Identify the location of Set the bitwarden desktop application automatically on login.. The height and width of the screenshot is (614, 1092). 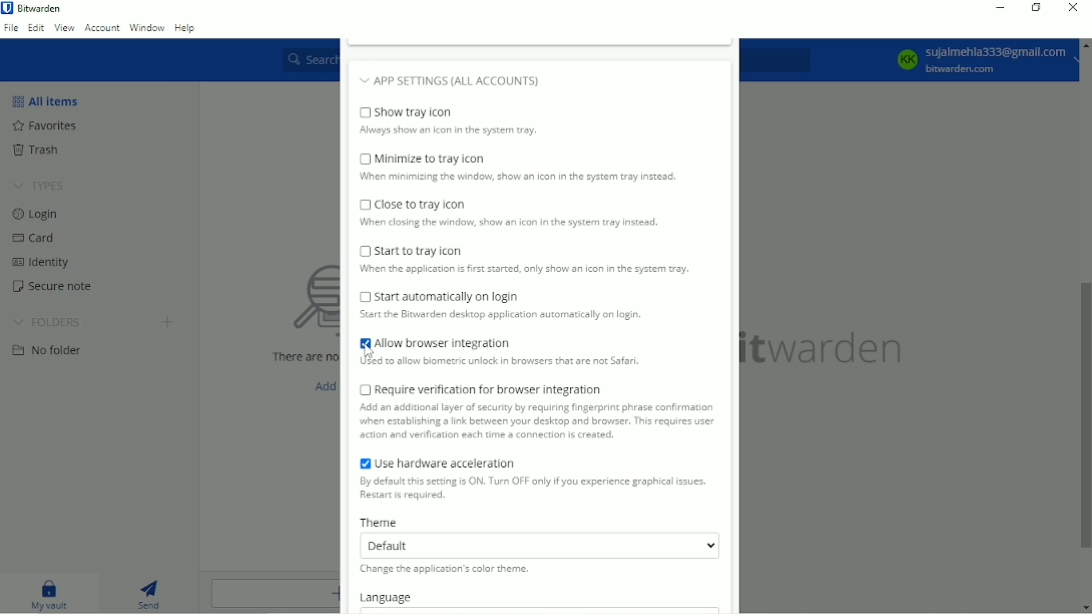
(518, 318).